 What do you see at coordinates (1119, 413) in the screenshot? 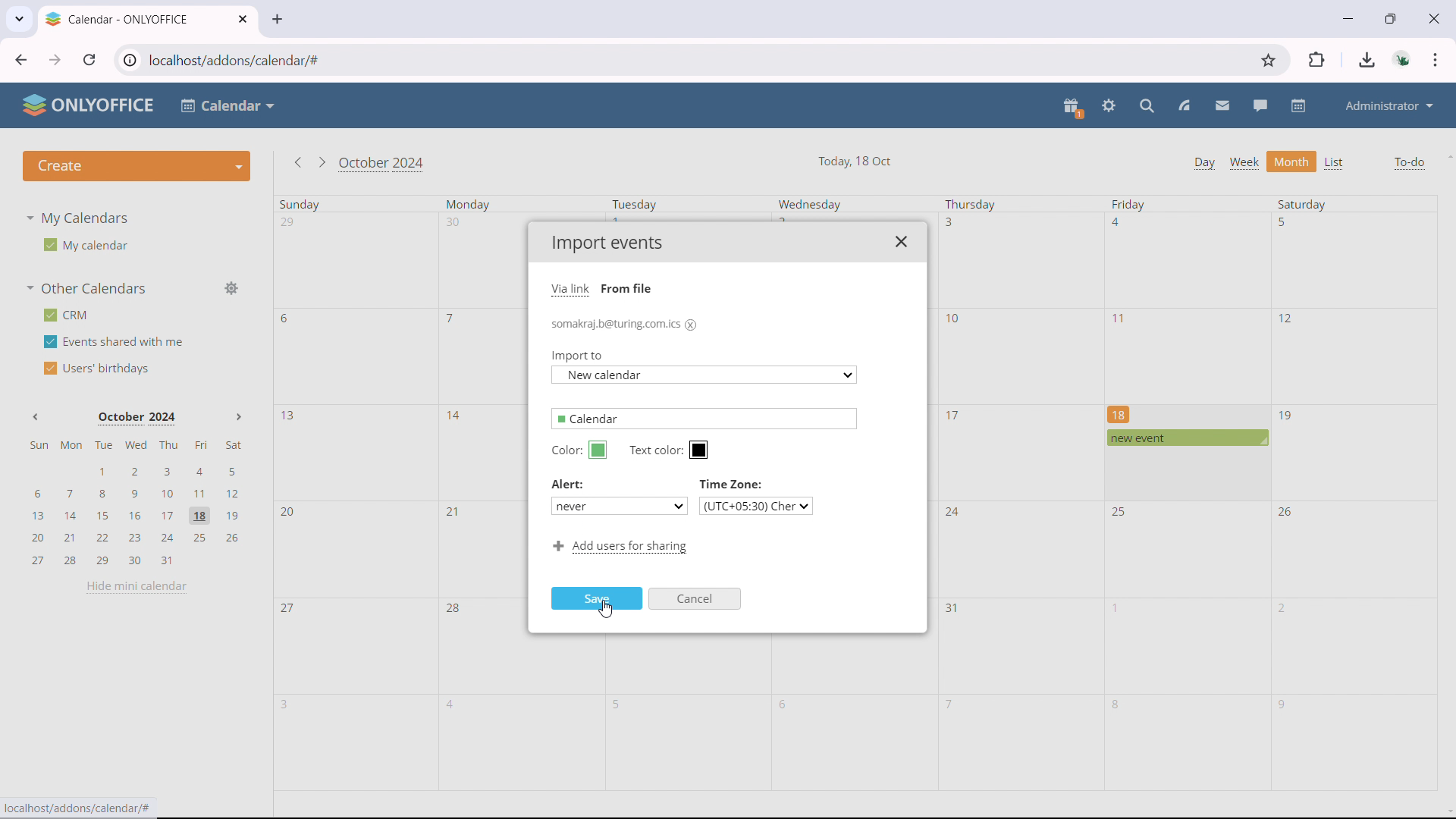
I see `18` at bounding box center [1119, 413].